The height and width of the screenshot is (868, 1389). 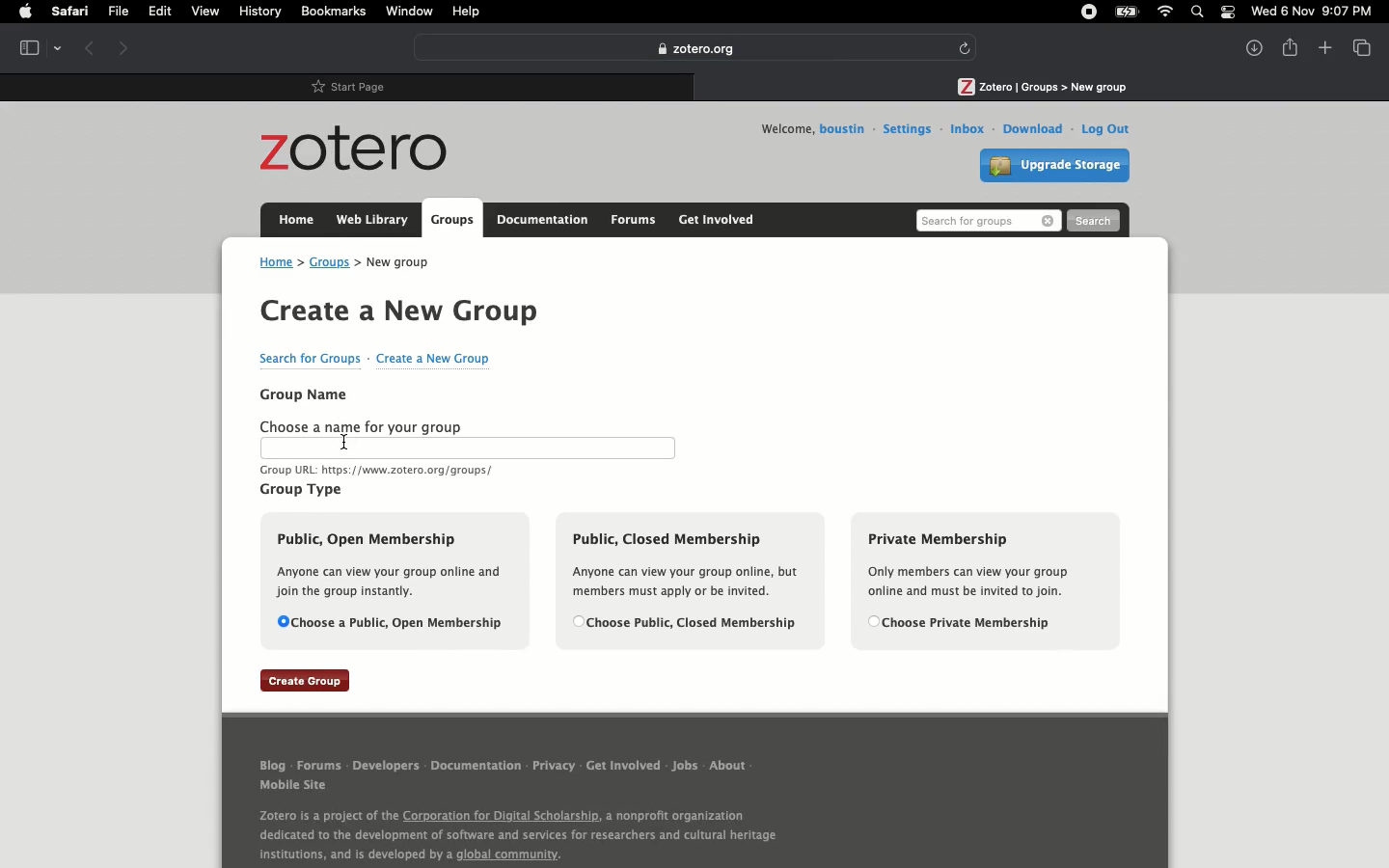 What do you see at coordinates (1032, 128) in the screenshot?
I see `Download` at bounding box center [1032, 128].